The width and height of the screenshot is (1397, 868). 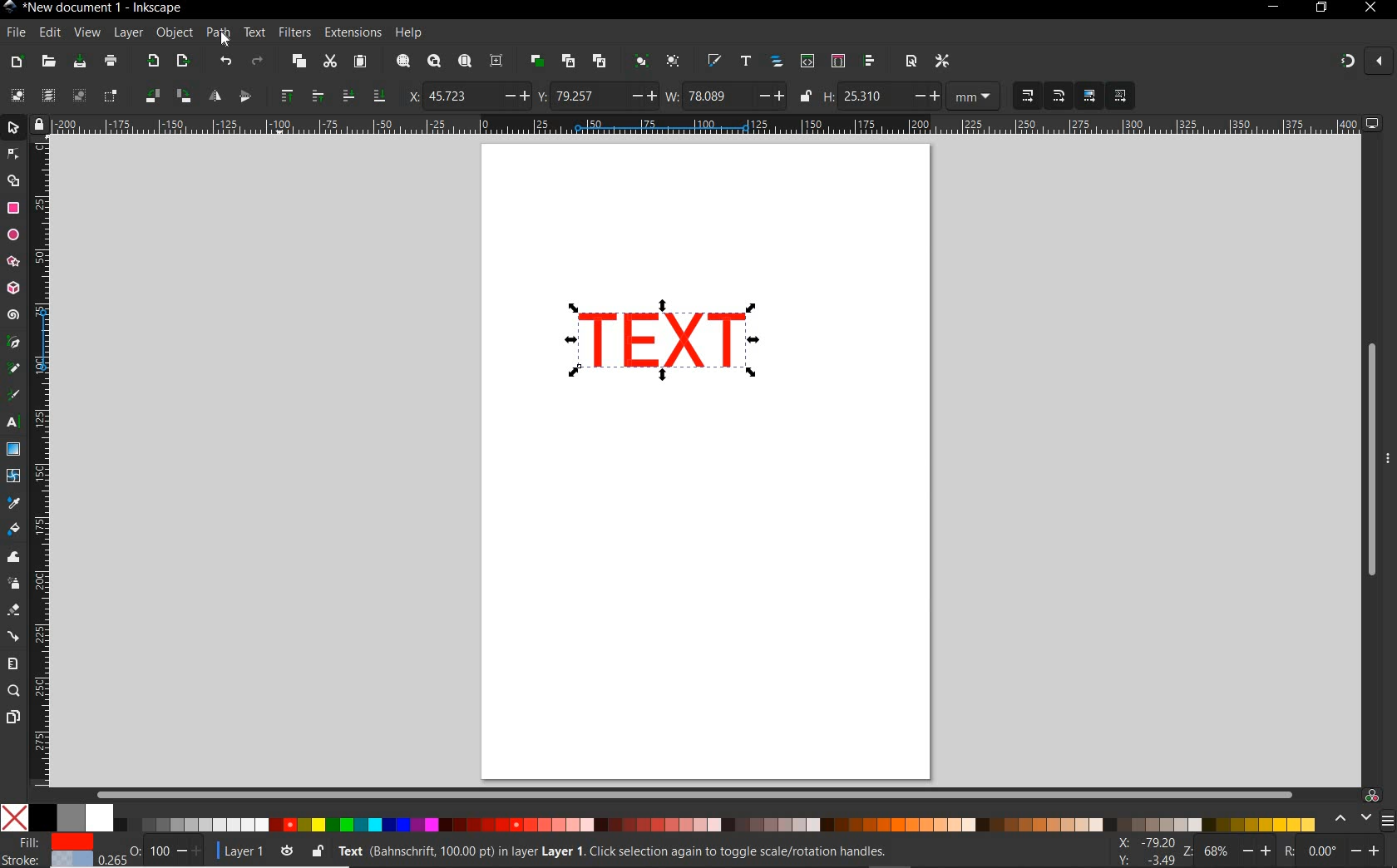 I want to click on LAYER, so click(x=129, y=32).